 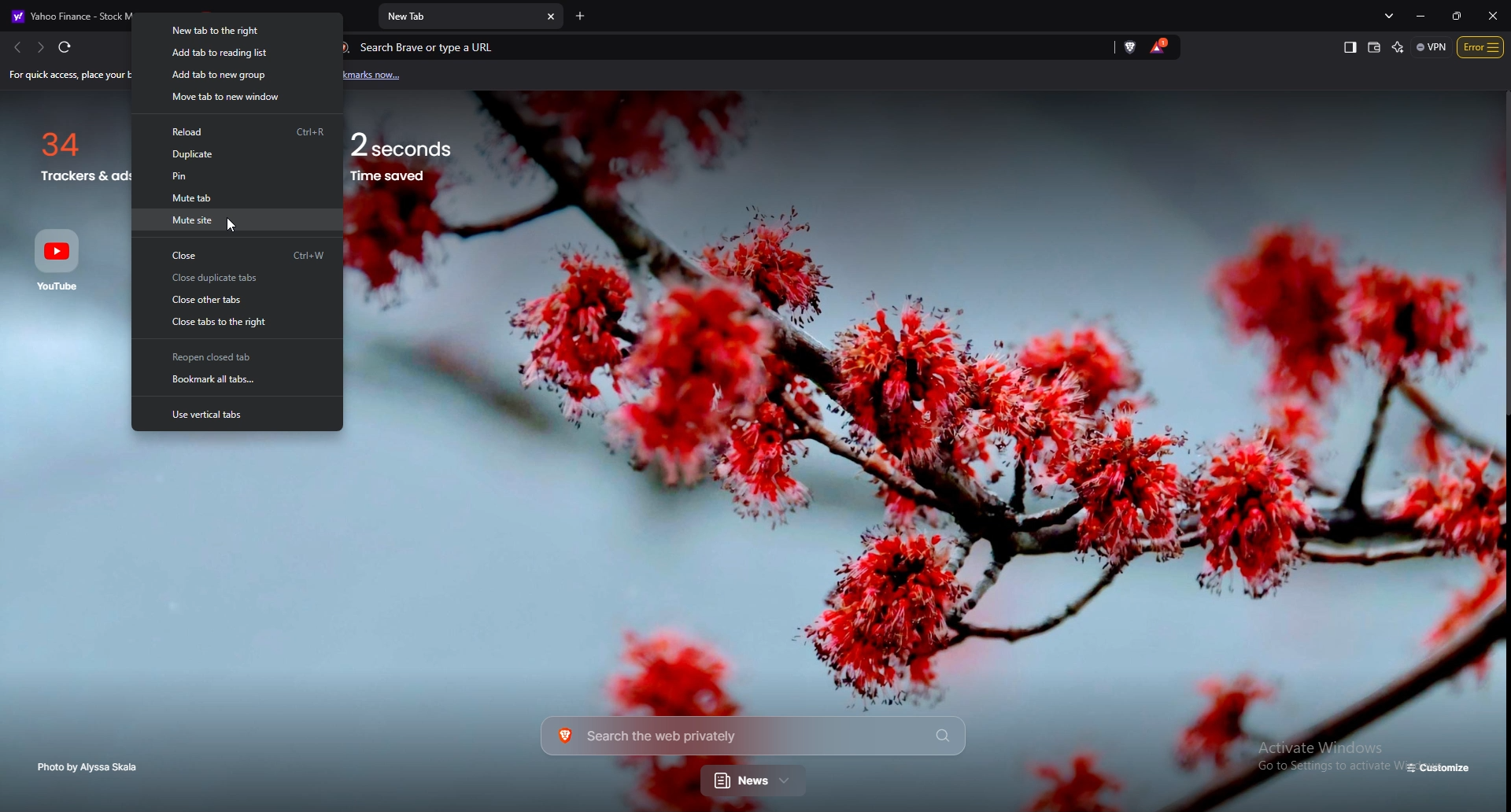 What do you see at coordinates (92, 767) in the screenshot?
I see `photo by Alyssa Skala` at bounding box center [92, 767].